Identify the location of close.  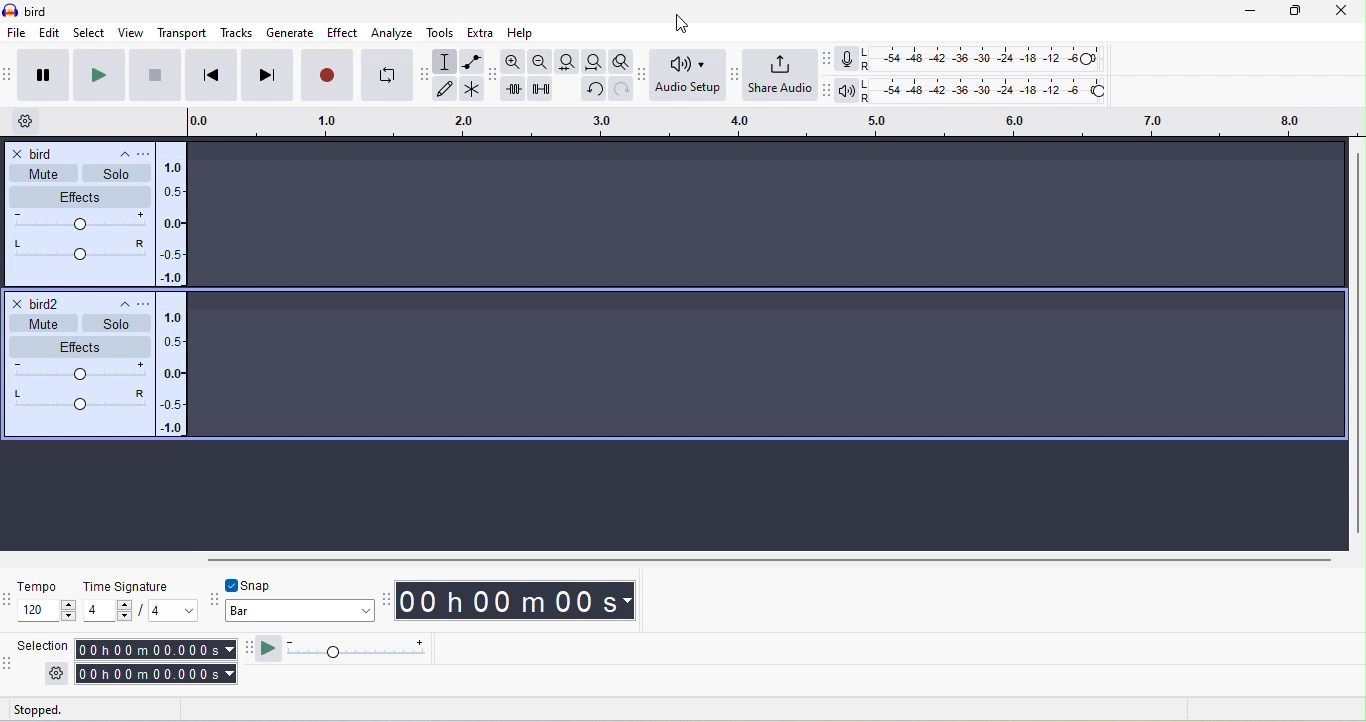
(1344, 12).